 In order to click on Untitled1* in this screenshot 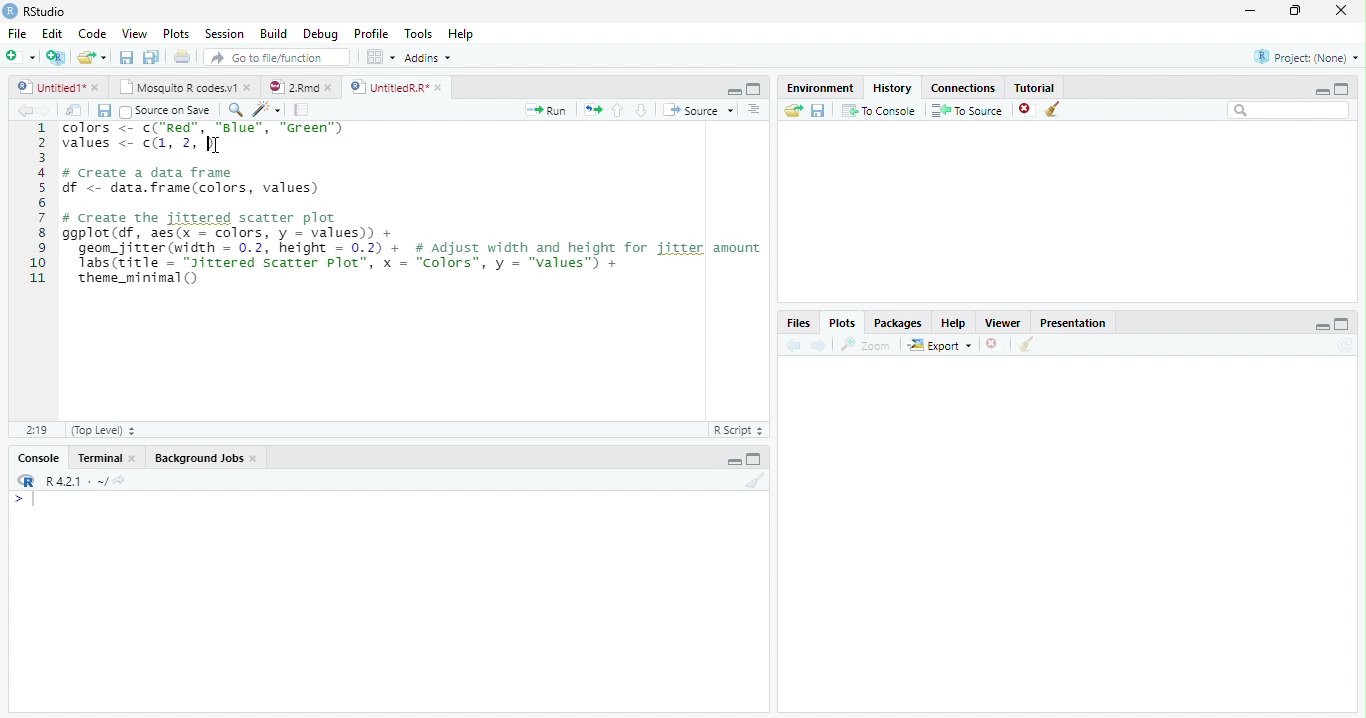, I will do `click(50, 88)`.